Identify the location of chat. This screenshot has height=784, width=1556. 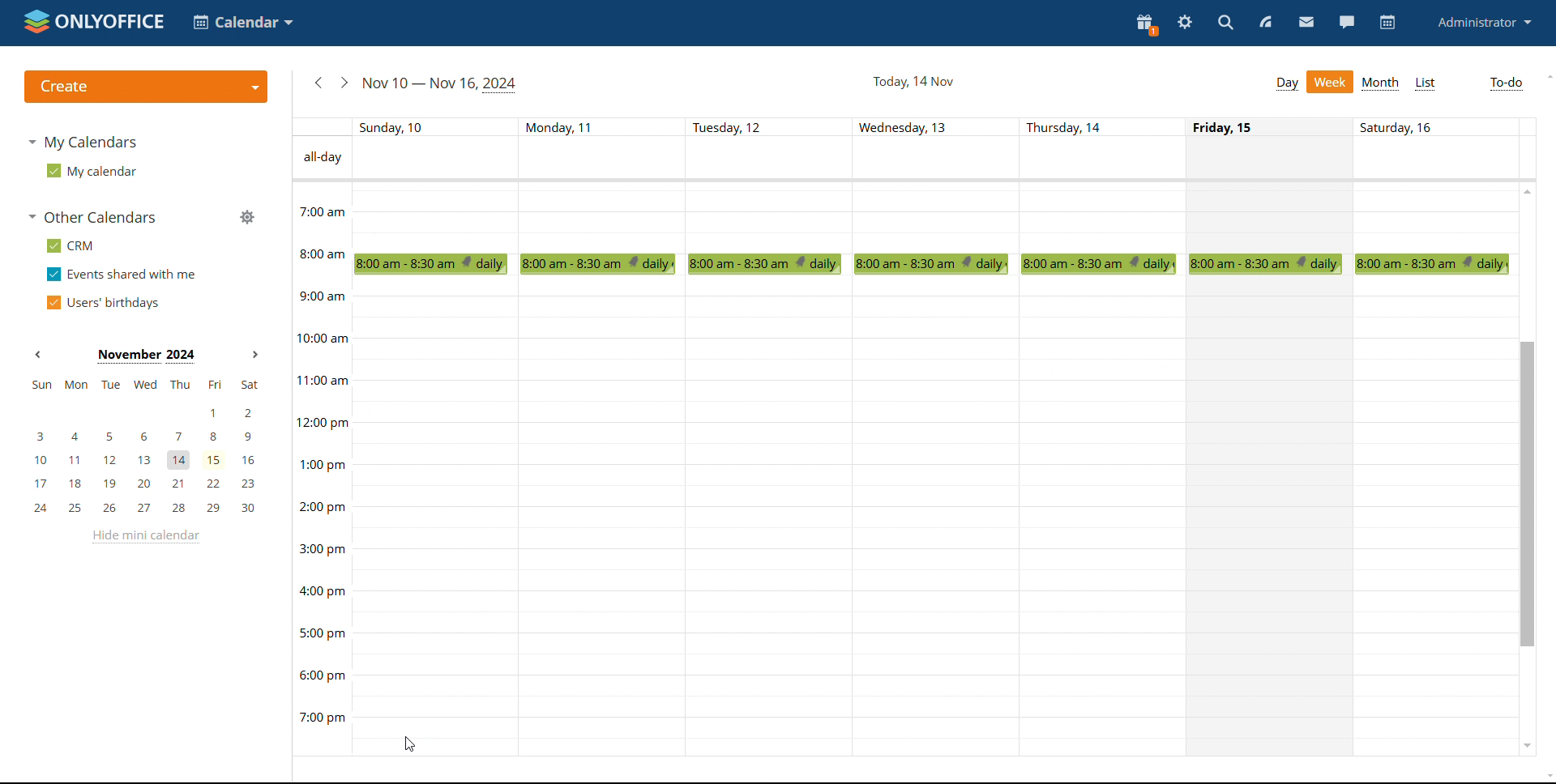
(1346, 21).